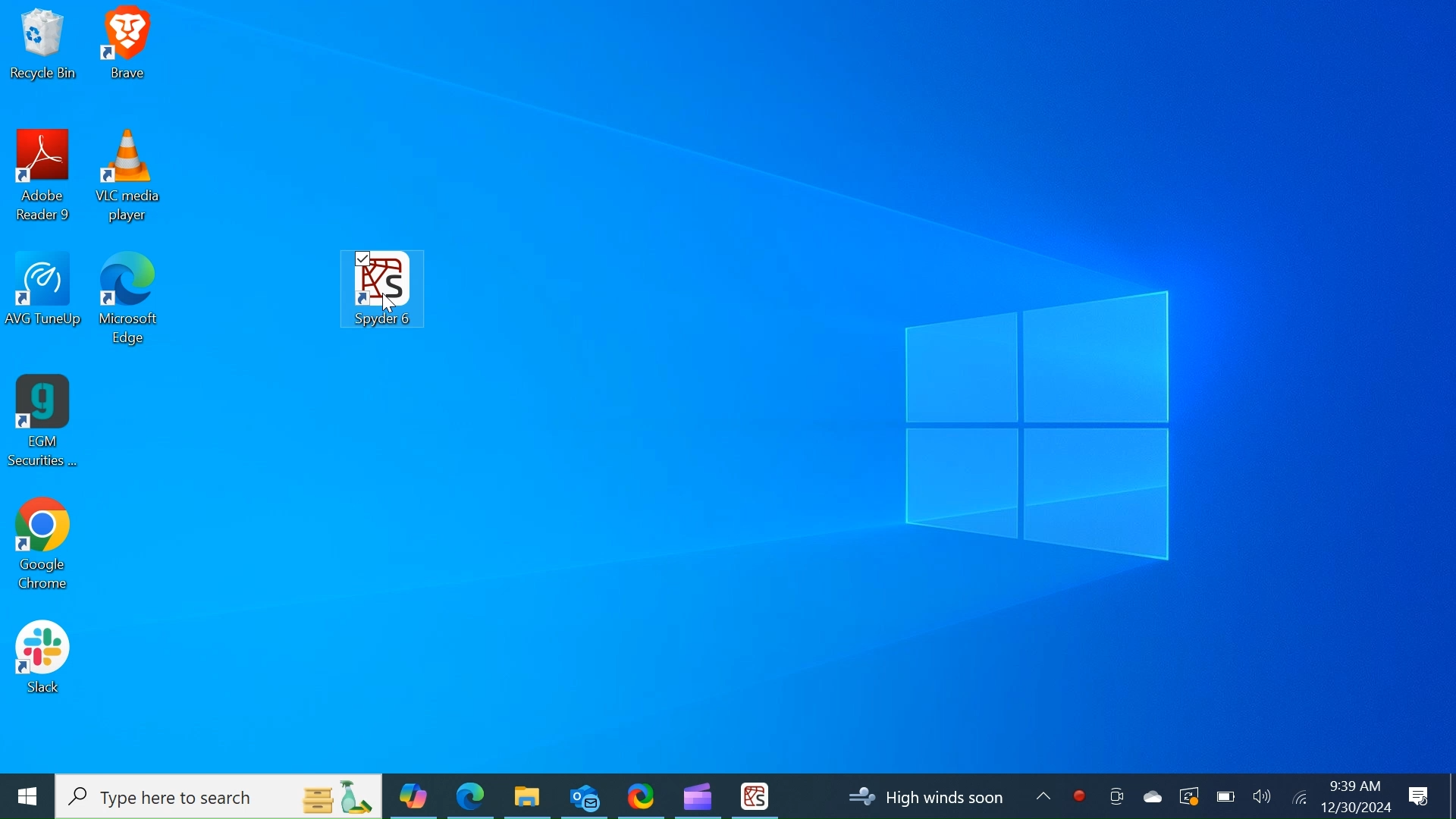 Image resolution: width=1456 pixels, height=819 pixels. I want to click on start, so click(26, 796).